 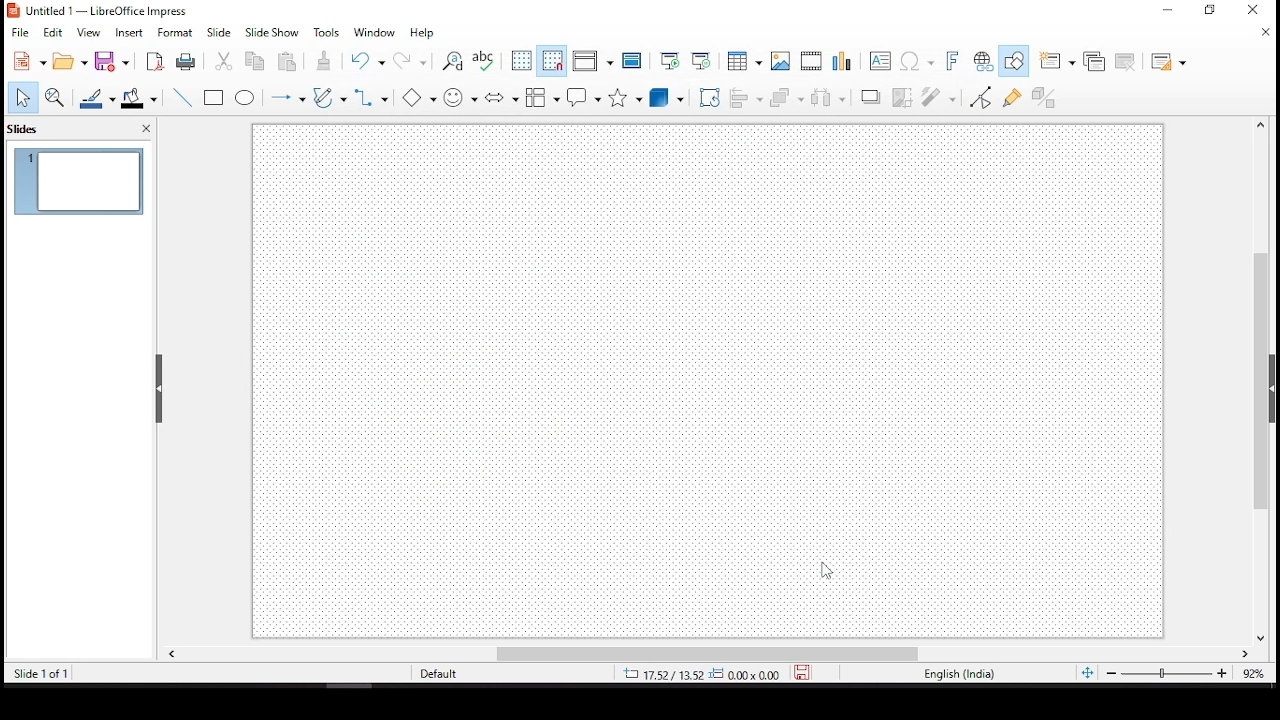 What do you see at coordinates (1014, 97) in the screenshot?
I see `show gluepoint functions` at bounding box center [1014, 97].